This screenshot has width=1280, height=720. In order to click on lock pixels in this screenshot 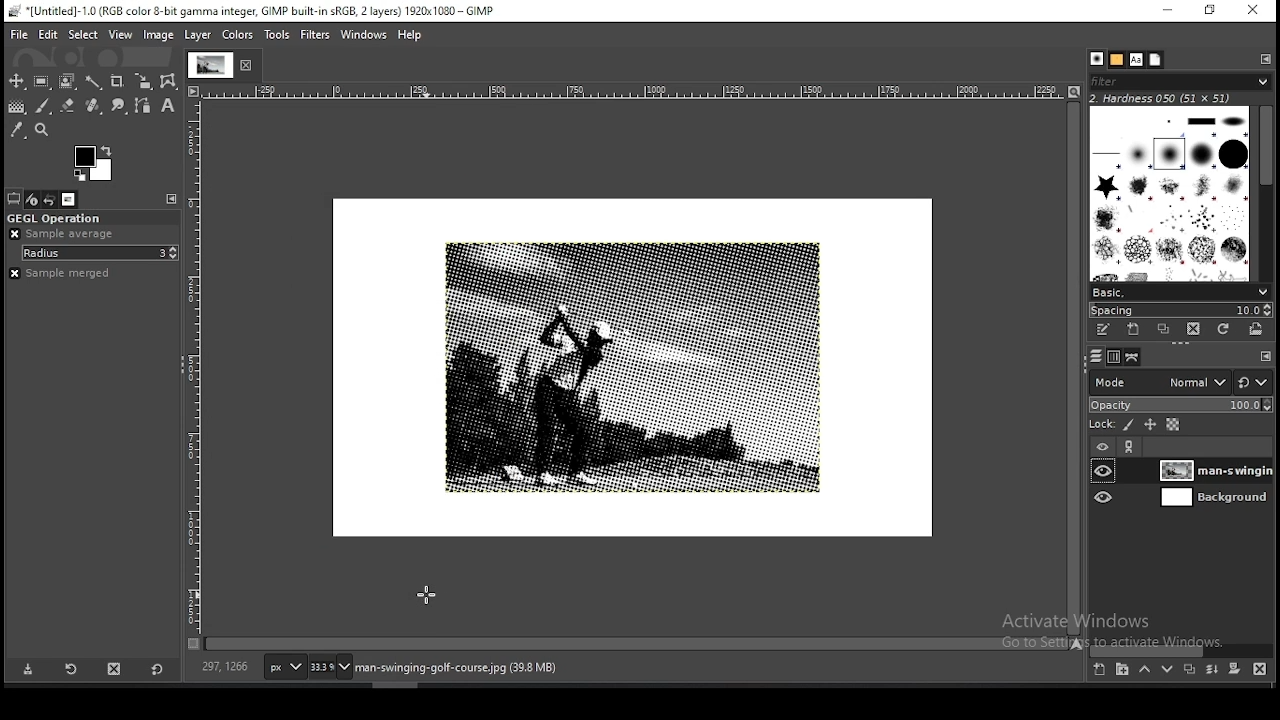, I will do `click(1126, 425)`.